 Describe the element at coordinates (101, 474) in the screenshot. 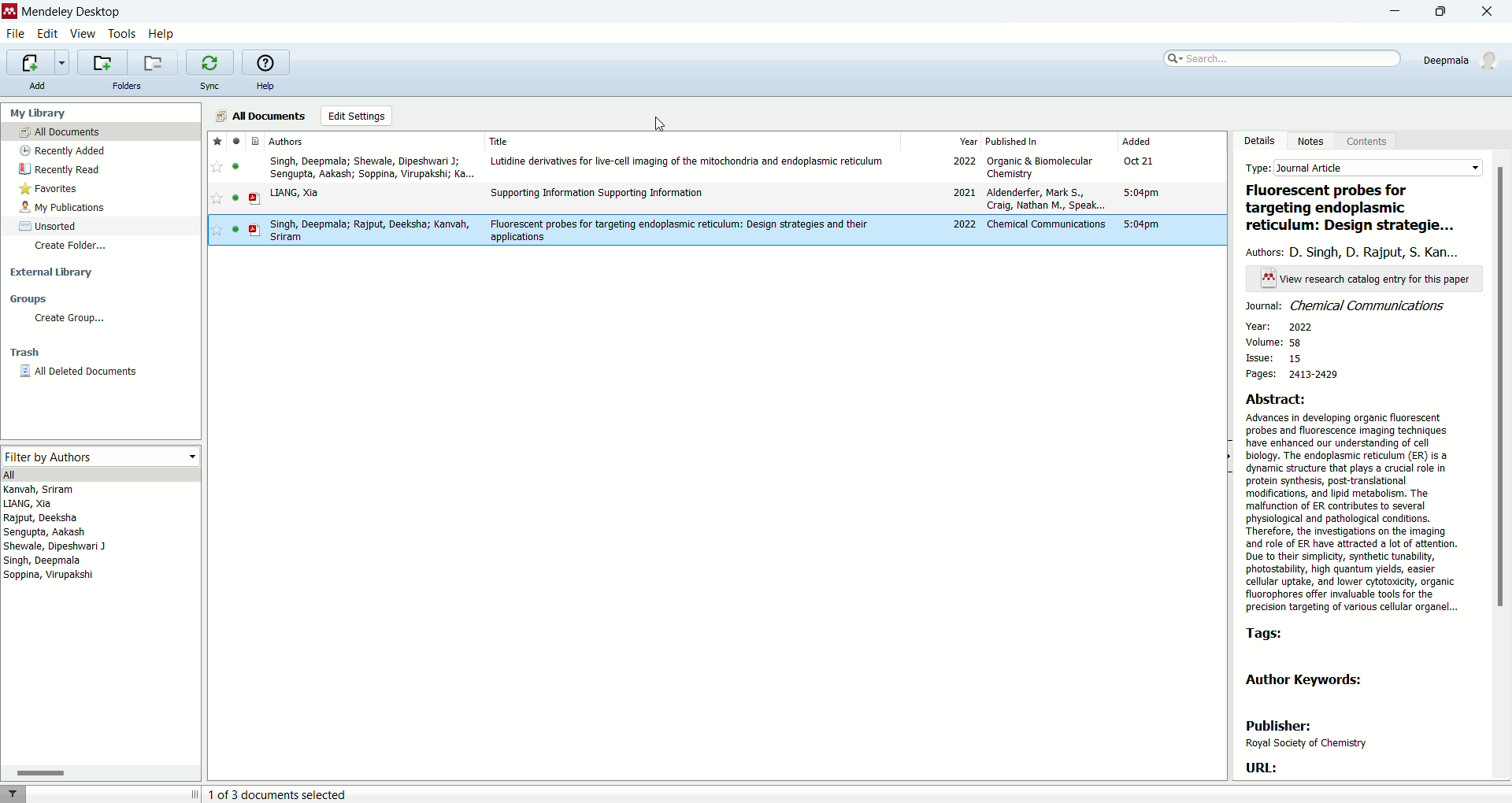

I see `all` at that location.